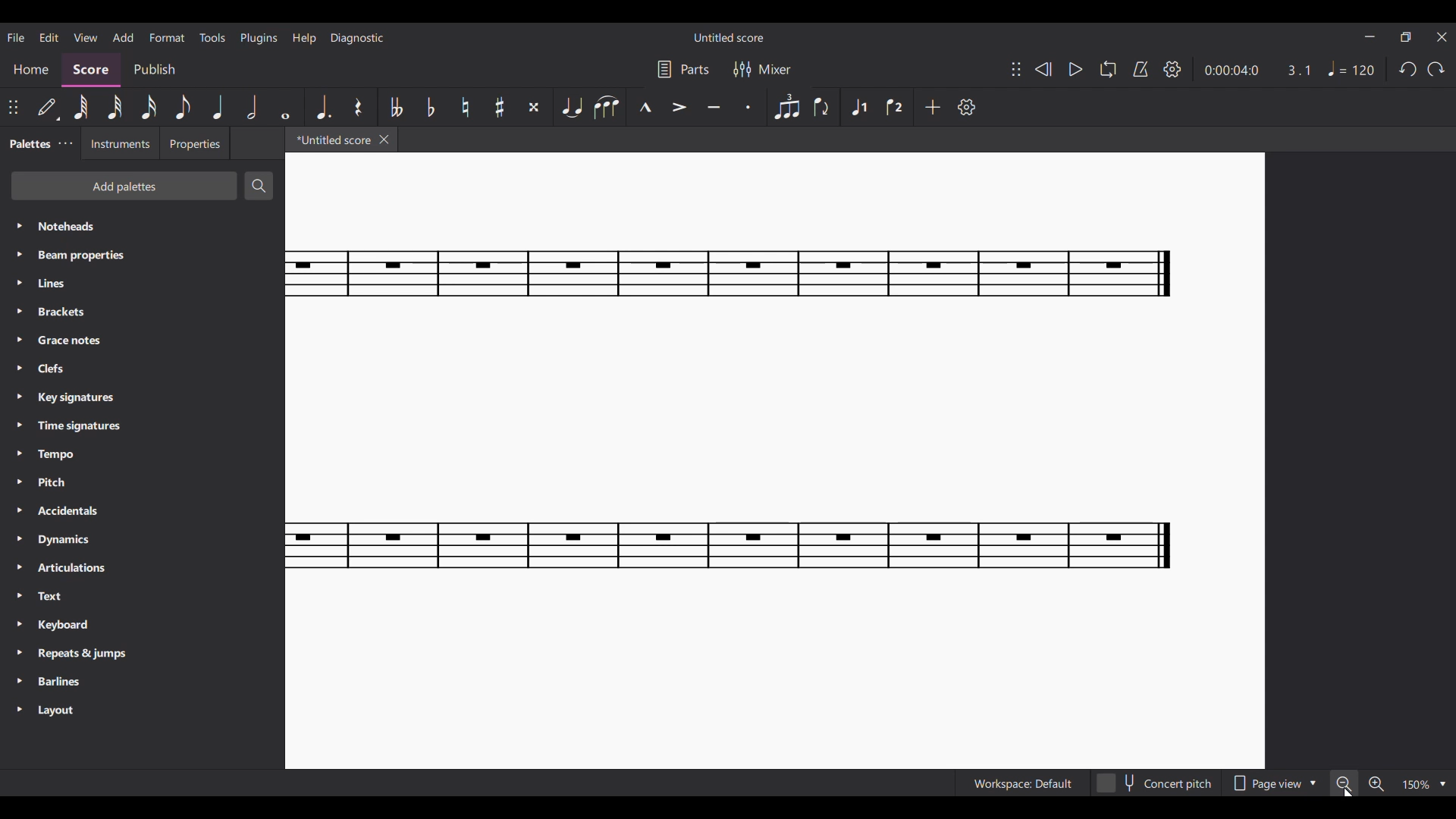 The image size is (1456, 819). I want to click on 64th note, so click(81, 107).